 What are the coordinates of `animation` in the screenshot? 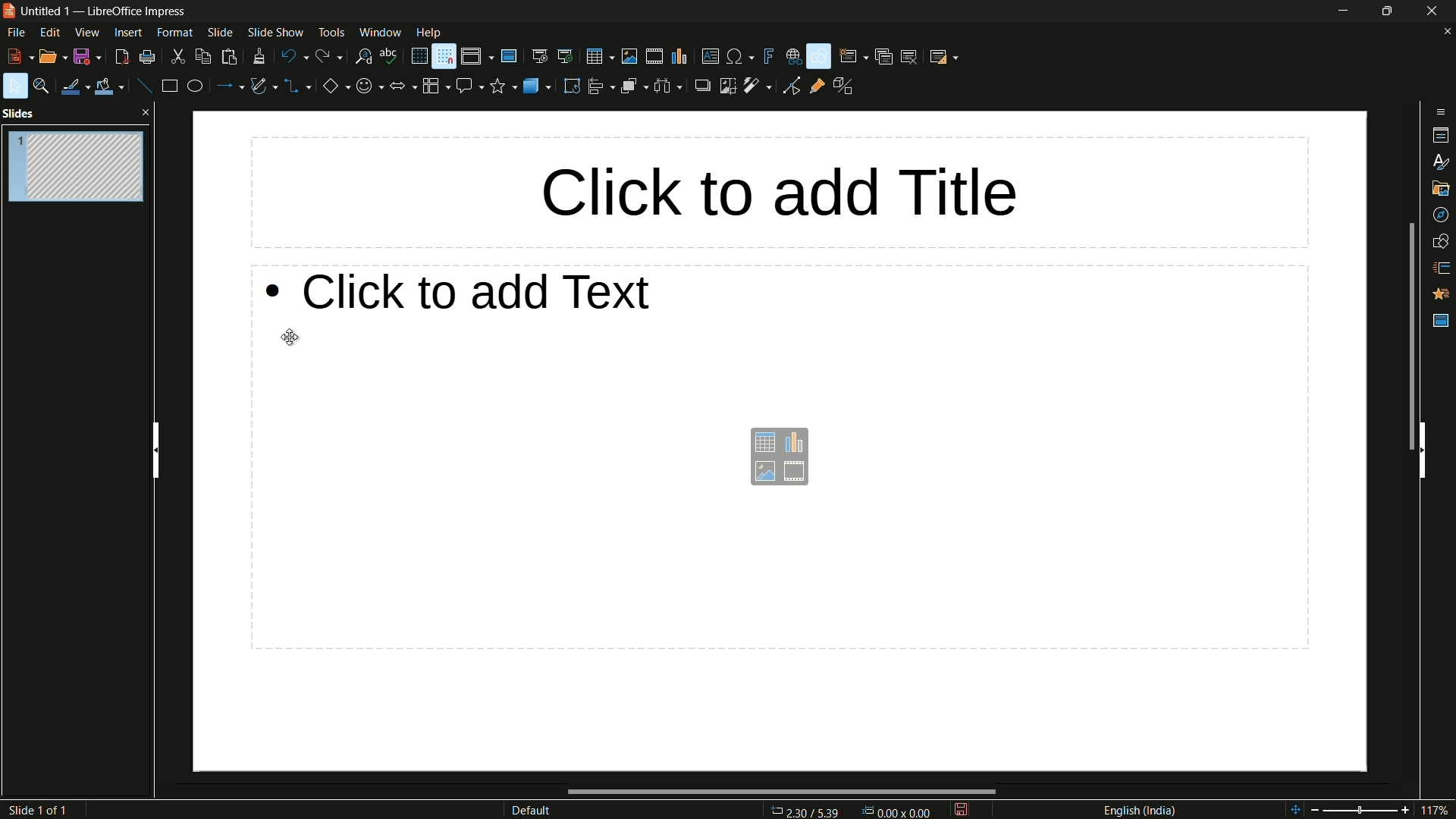 It's located at (1441, 294).